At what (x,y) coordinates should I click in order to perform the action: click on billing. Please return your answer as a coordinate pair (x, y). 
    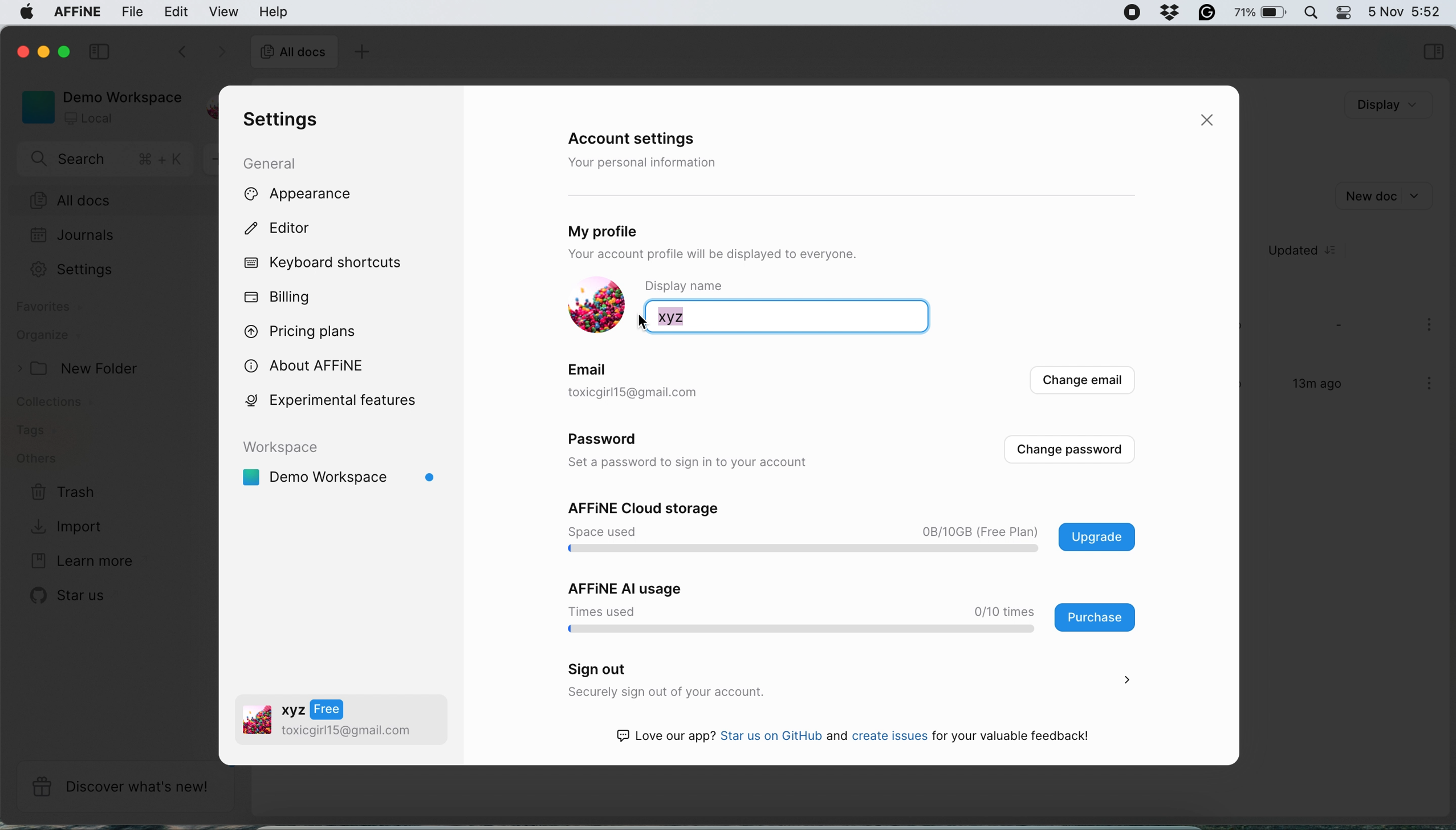
    Looking at the image, I should click on (279, 298).